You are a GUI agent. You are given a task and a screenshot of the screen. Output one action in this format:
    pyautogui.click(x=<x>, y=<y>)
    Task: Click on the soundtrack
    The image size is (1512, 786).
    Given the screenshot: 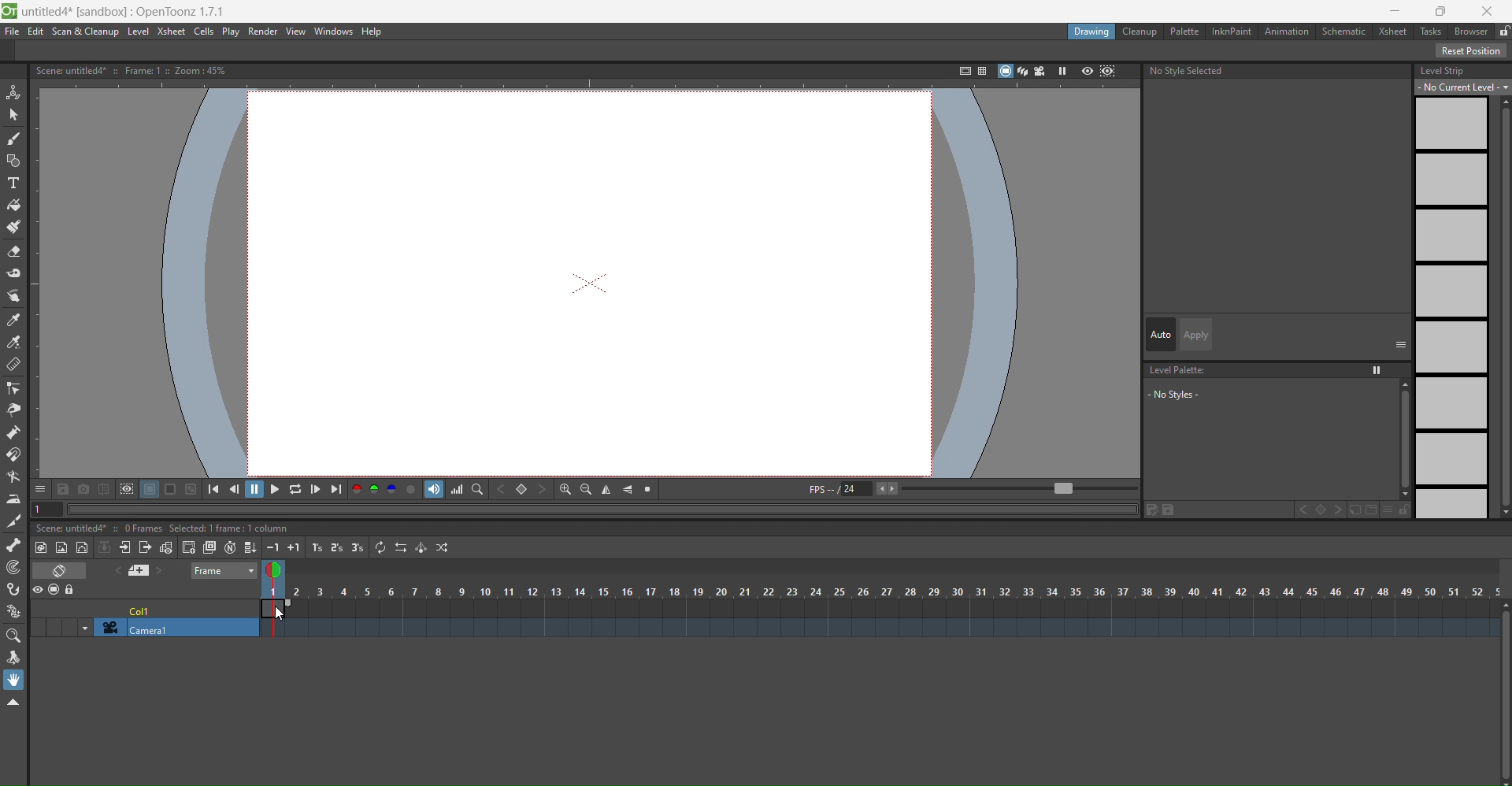 What is the action you would take?
    pyautogui.click(x=434, y=489)
    